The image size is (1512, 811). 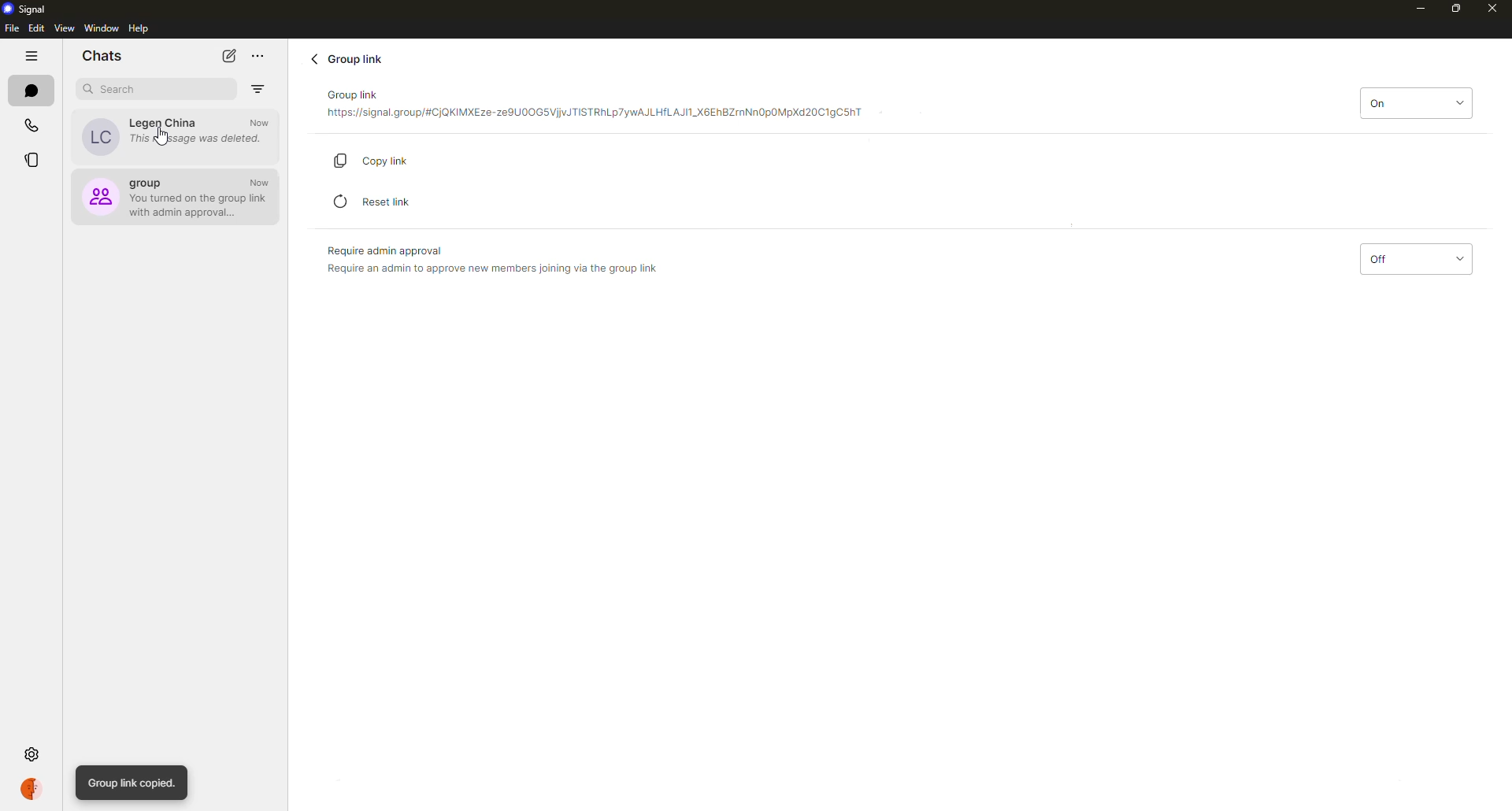 What do you see at coordinates (172, 134) in the screenshot?
I see `contact` at bounding box center [172, 134].